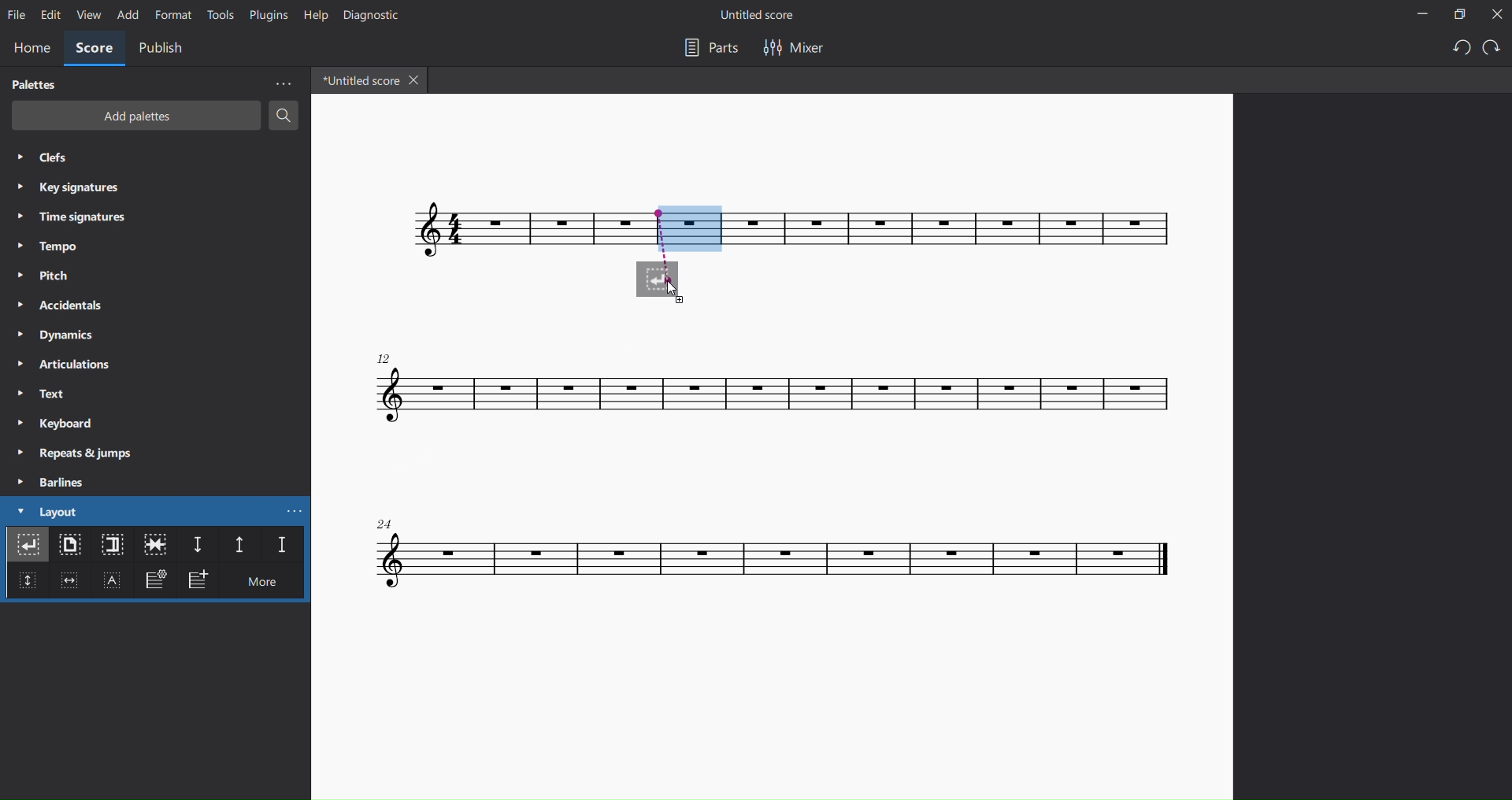 The image size is (1512, 800). Describe the element at coordinates (218, 16) in the screenshot. I see `tools` at that location.